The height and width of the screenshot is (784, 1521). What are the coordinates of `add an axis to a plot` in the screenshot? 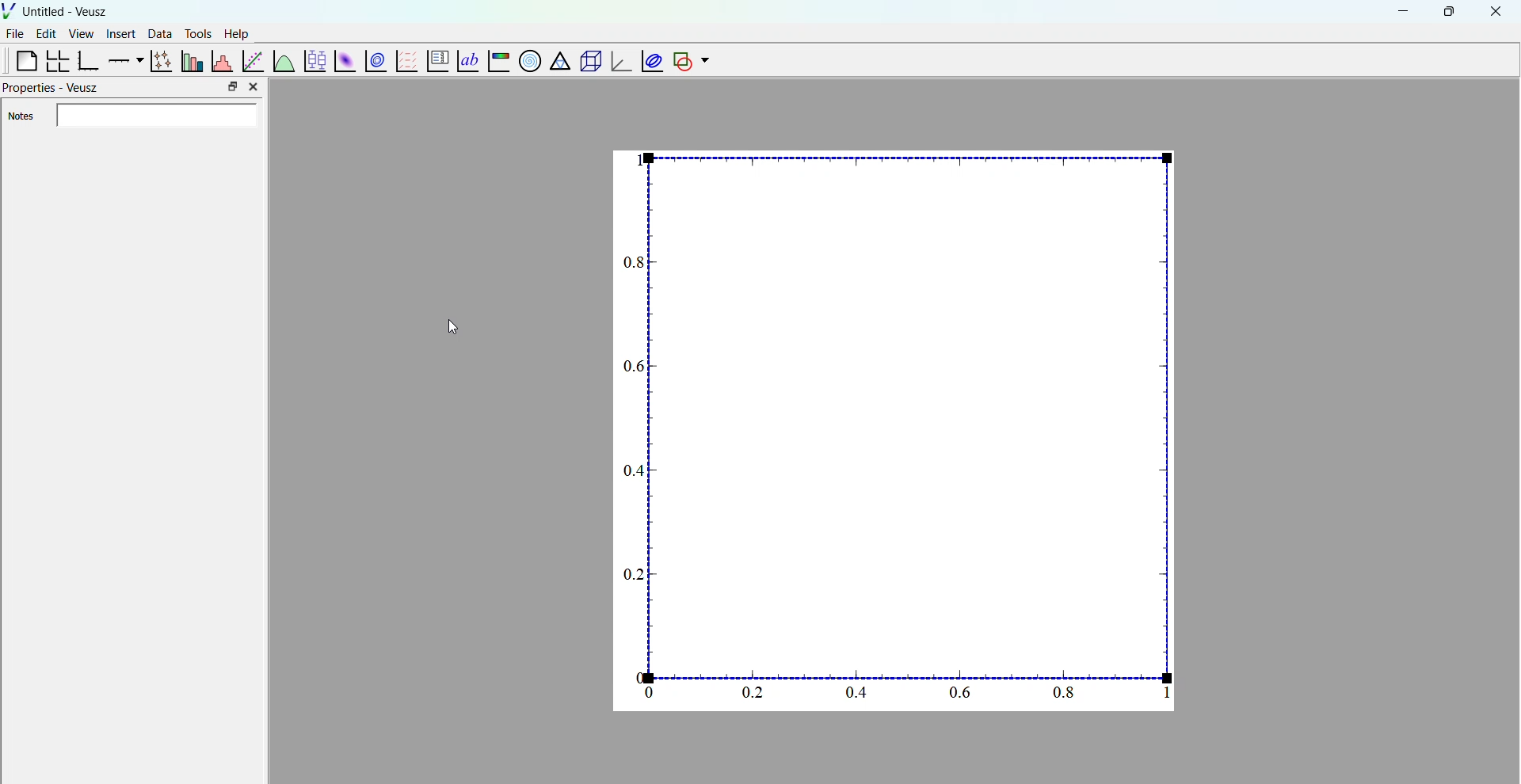 It's located at (124, 59).